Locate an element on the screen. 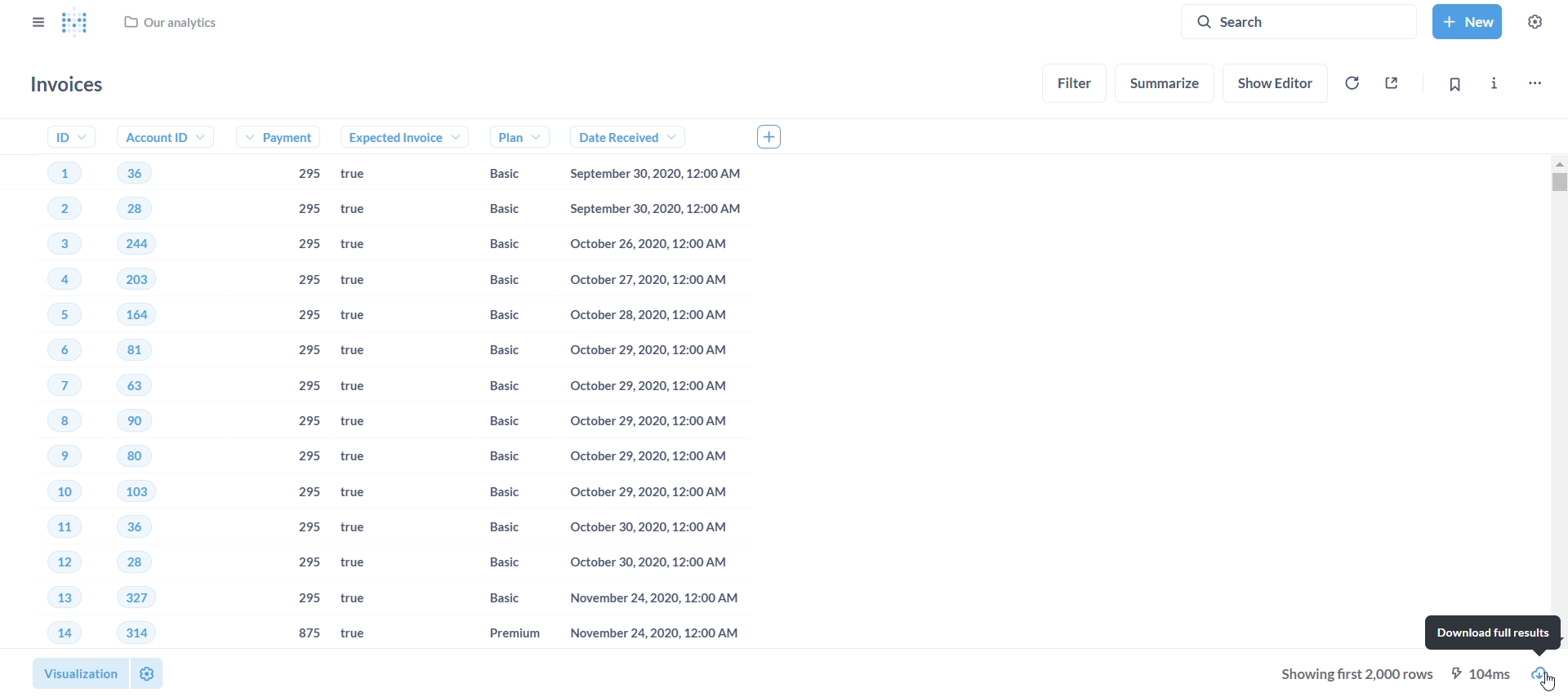  October 30, 2020, 12:00 AM is located at coordinates (644, 562).